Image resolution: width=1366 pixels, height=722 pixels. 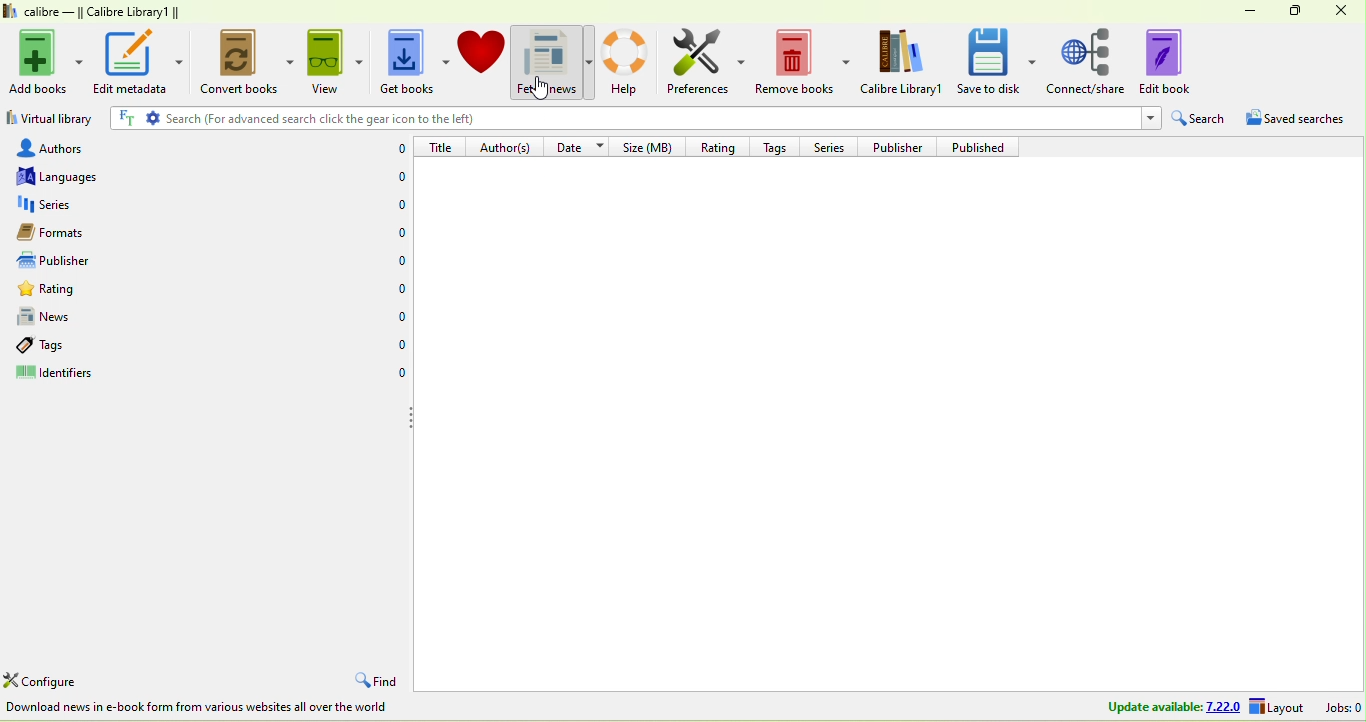 What do you see at coordinates (400, 175) in the screenshot?
I see `0` at bounding box center [400, 175].